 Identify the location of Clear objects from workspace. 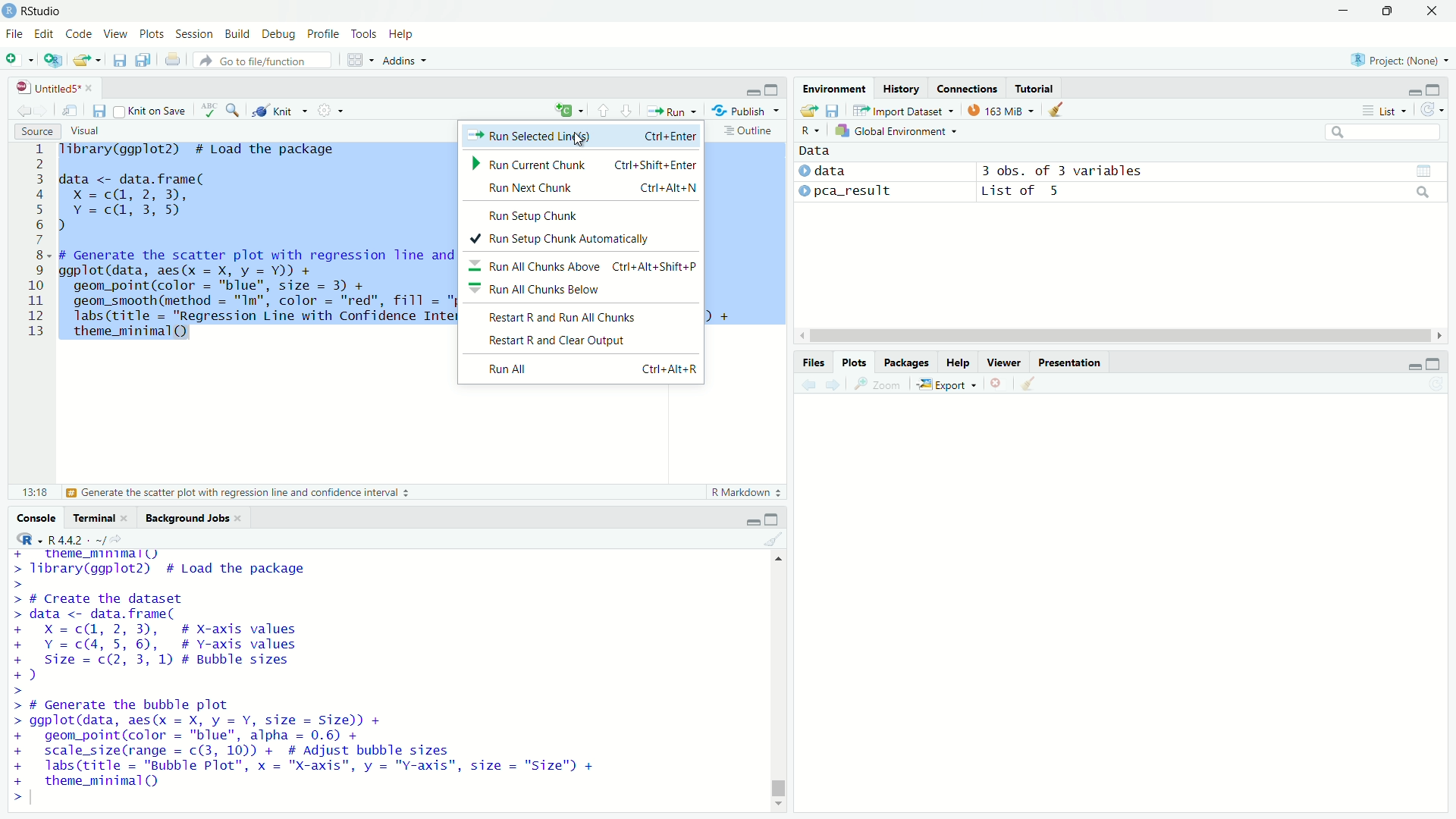
(1057, 110).